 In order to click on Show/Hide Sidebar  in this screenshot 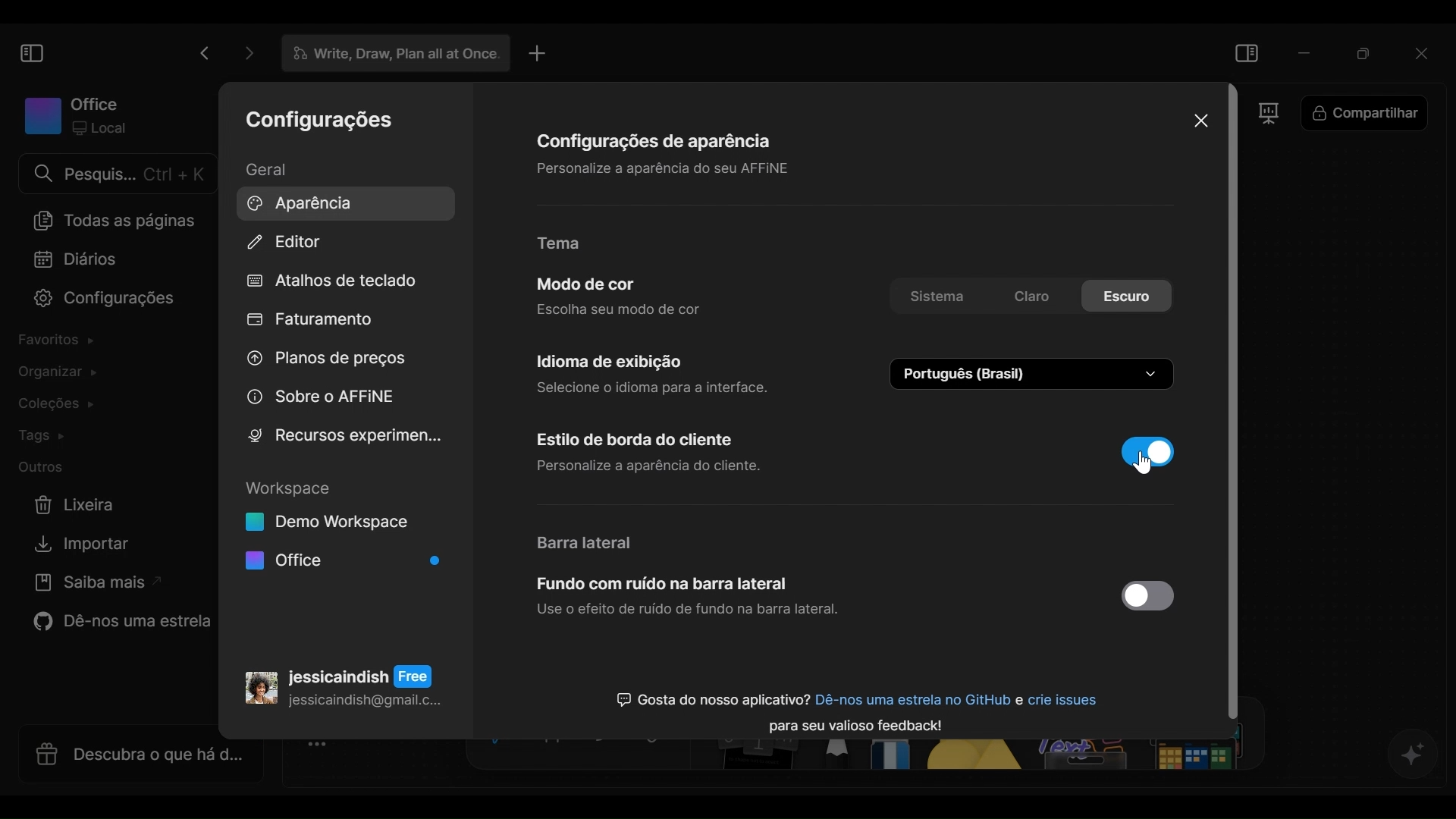, I will do `click(1248, 51)`.